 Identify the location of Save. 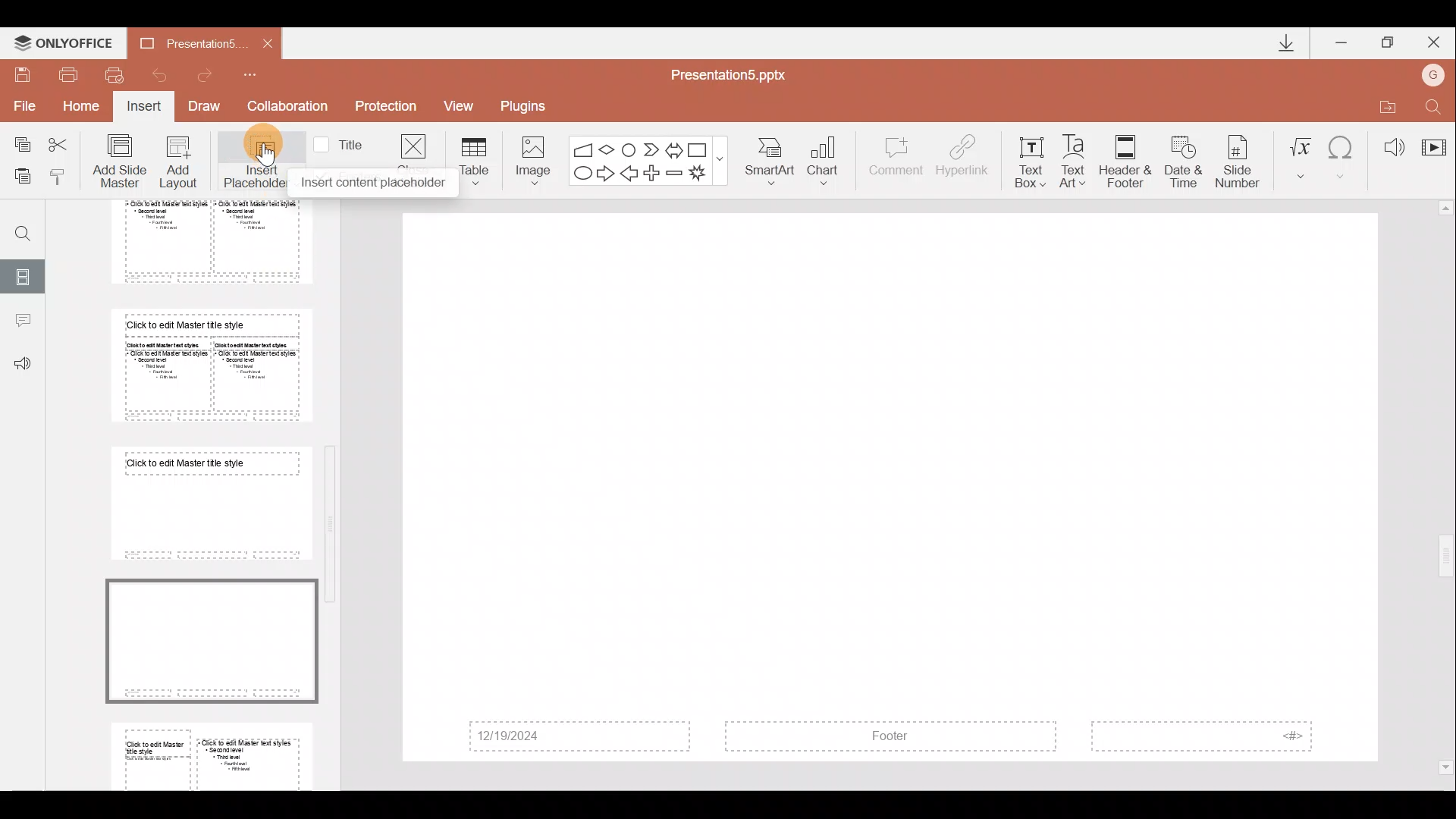
(23, 73).